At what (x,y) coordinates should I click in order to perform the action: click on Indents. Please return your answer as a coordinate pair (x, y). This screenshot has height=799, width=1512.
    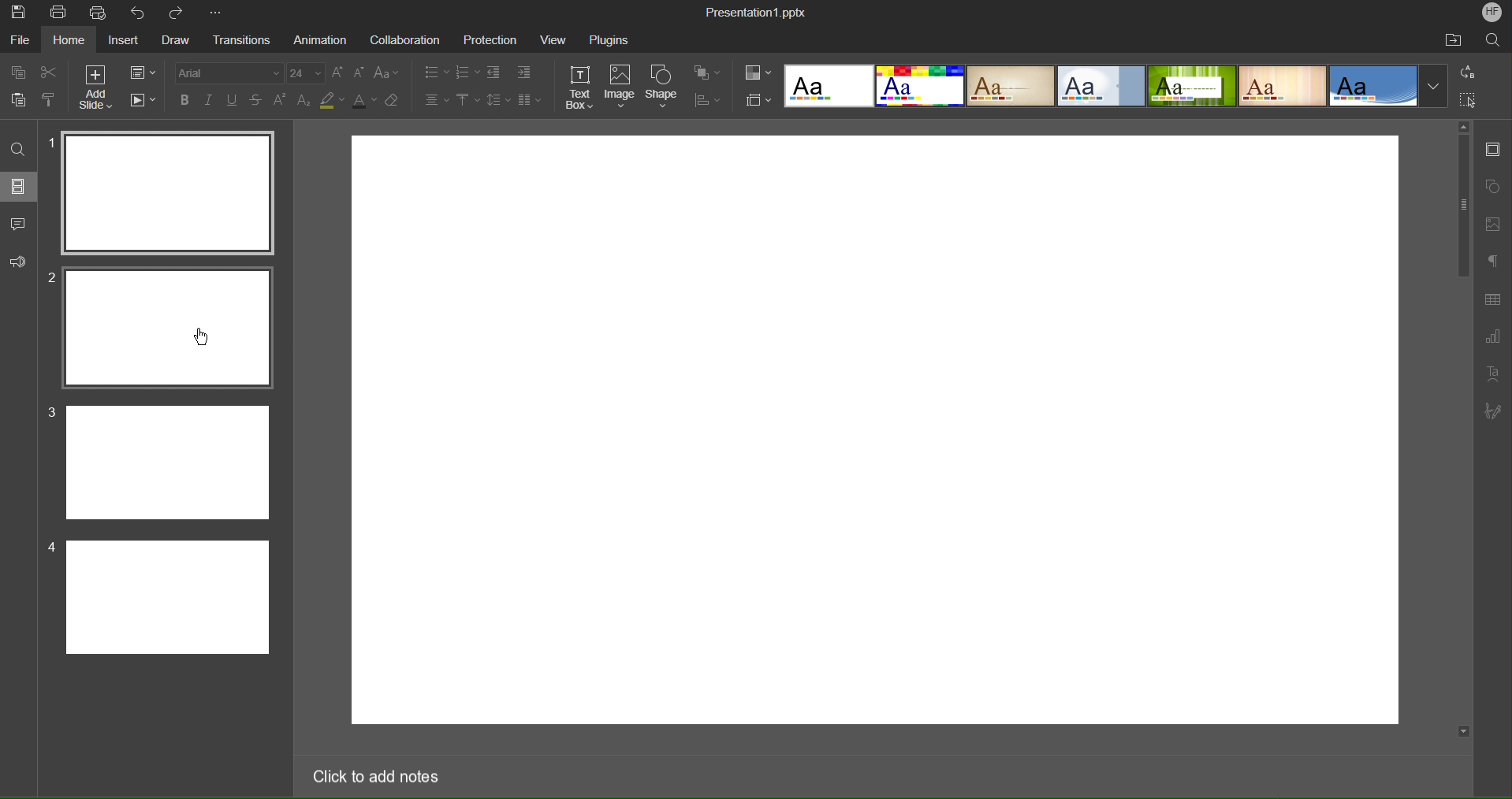
    Looking at the image, I should click on (513, 71).